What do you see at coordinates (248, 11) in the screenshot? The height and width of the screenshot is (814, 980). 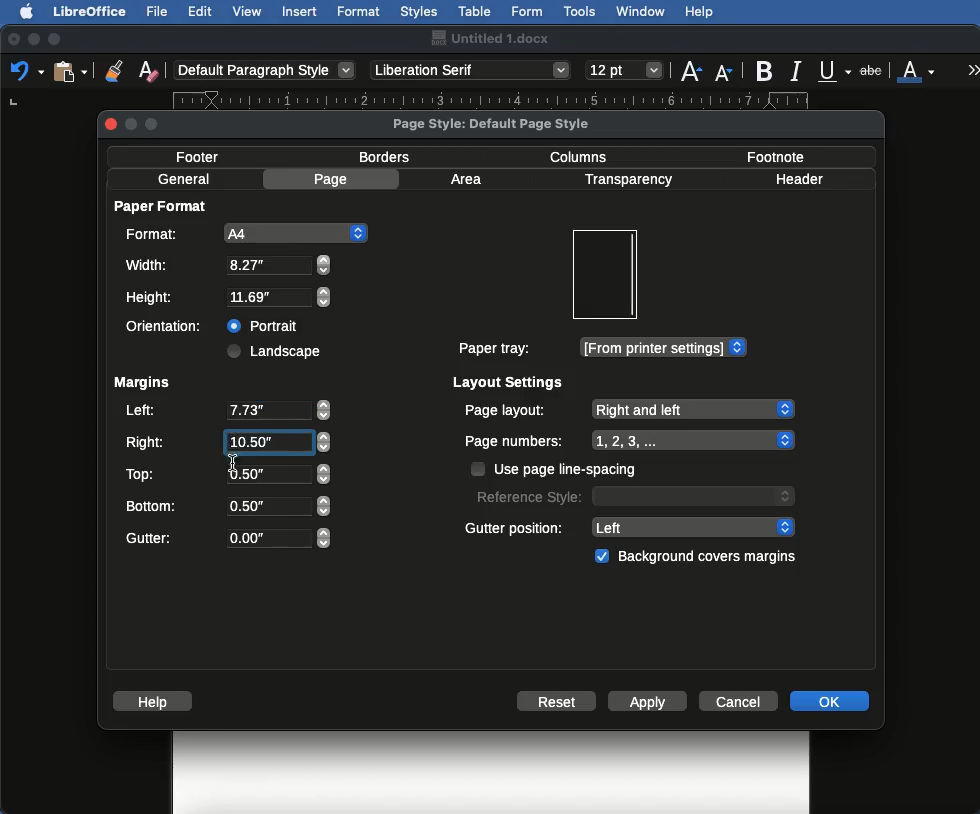 I see `View` at bounding box center [248, 11].